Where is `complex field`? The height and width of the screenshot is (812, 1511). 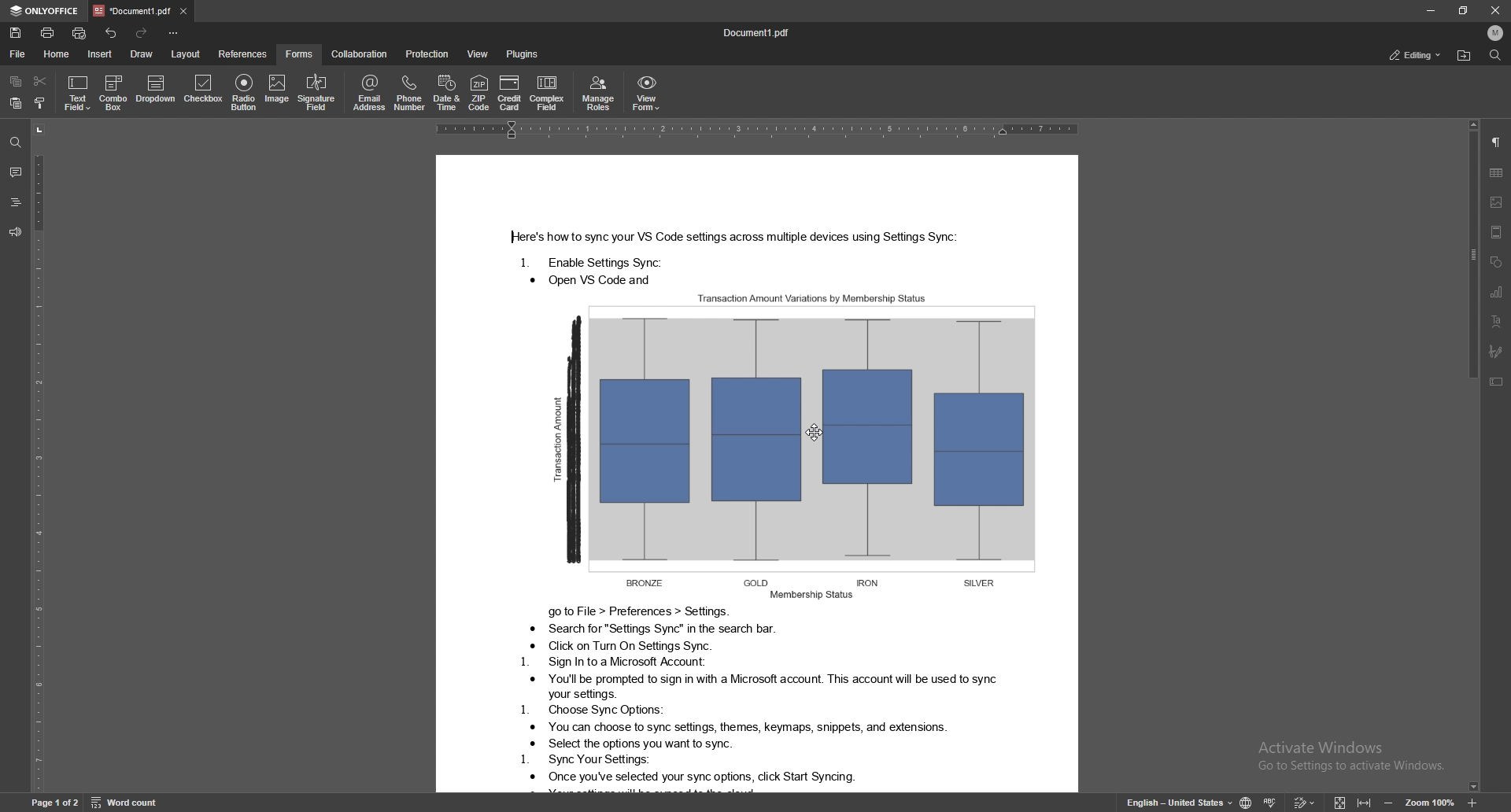
complex field is located at coordinates (548, 93).